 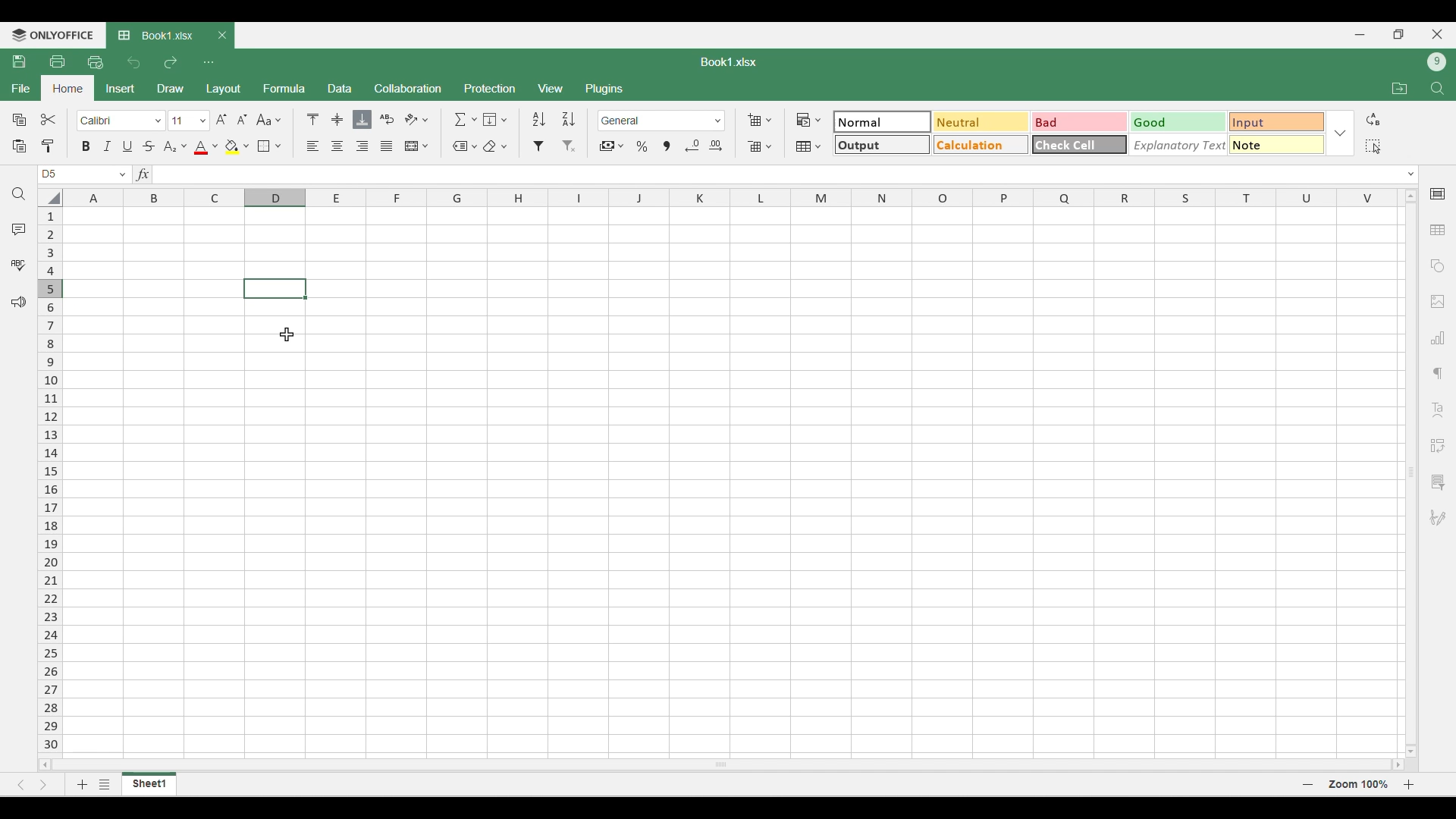 I want to click on Open file location, so click(x=1400, y=88).